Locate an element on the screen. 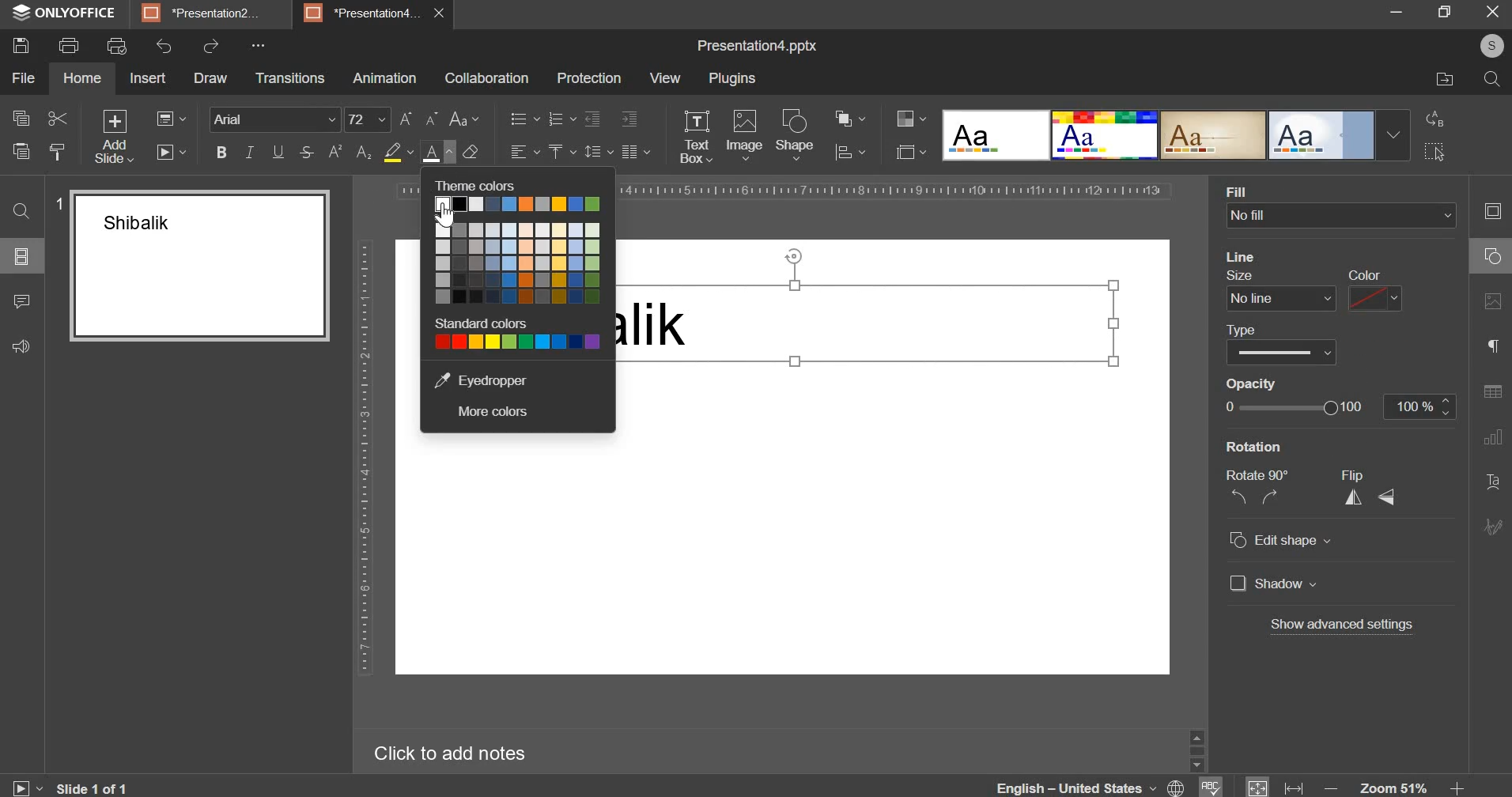 This screenshot has width=1512, height=797. Click to add notes is located at coordinates (462, 752).